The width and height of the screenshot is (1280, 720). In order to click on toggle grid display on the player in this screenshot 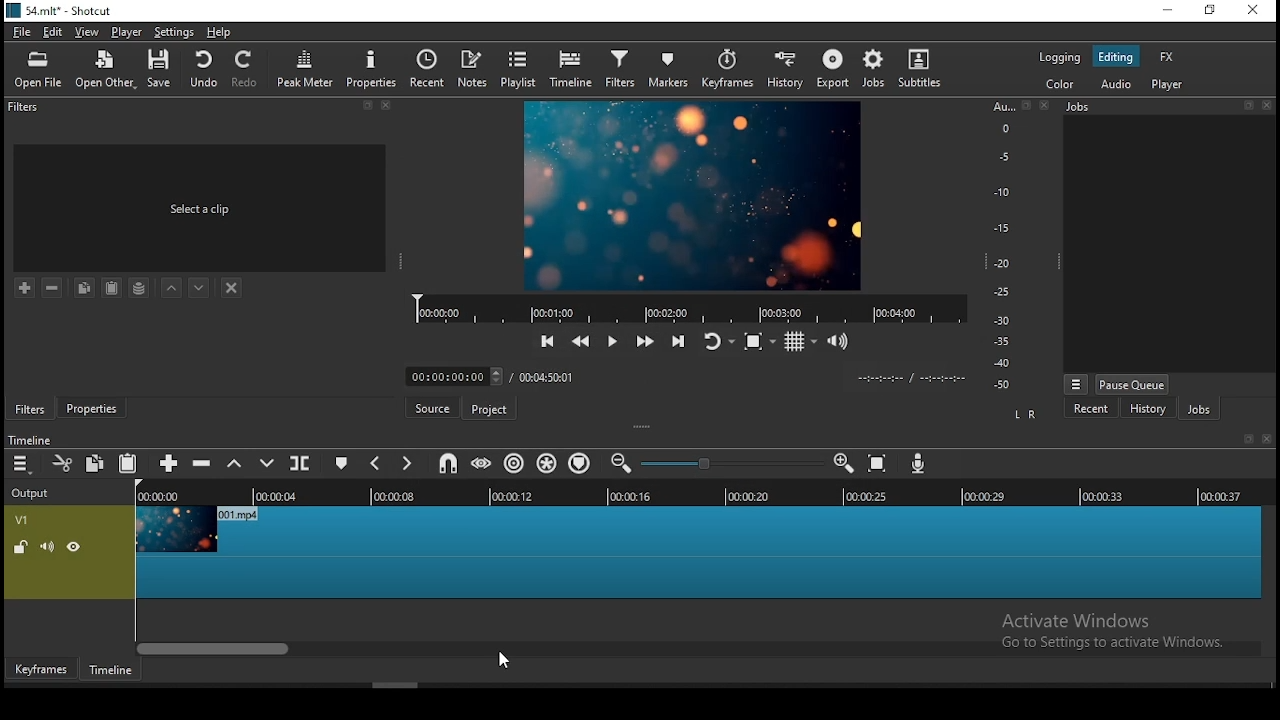, I will do `click(801, 339)`.